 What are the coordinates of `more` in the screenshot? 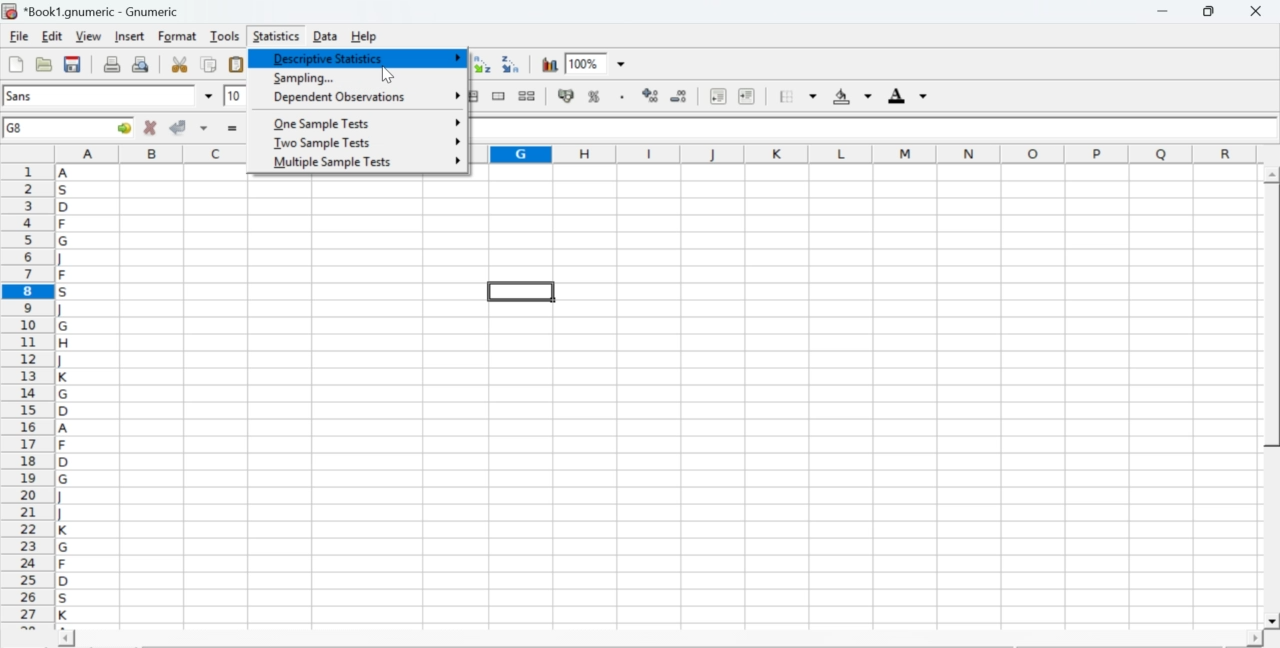 It's located at (458, 93).